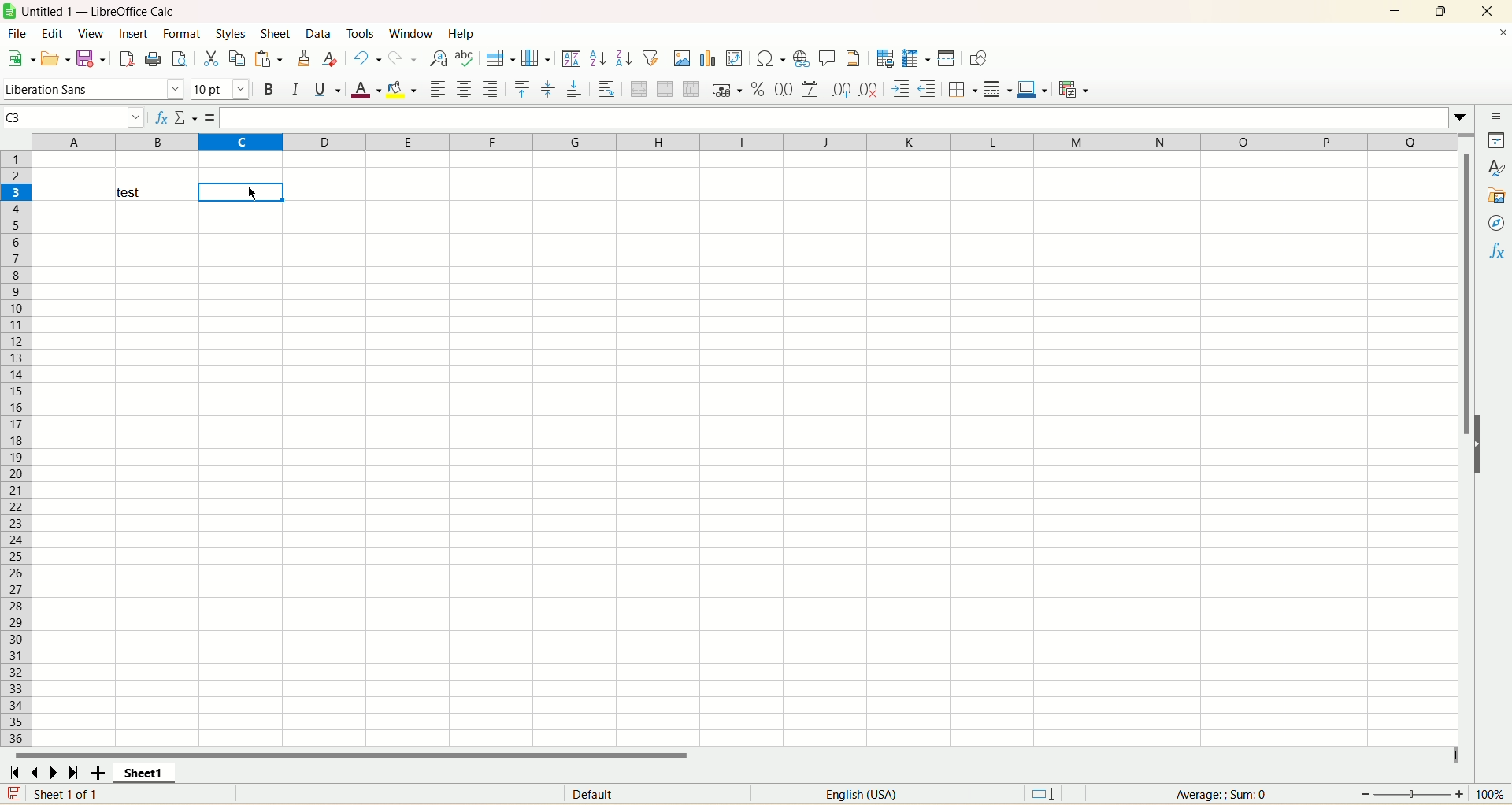 This screenshot has width=1512, height=805. What do you see at coordinates (14, 793) in the screenshot?
I see `save` at bounding box center [14, 793].